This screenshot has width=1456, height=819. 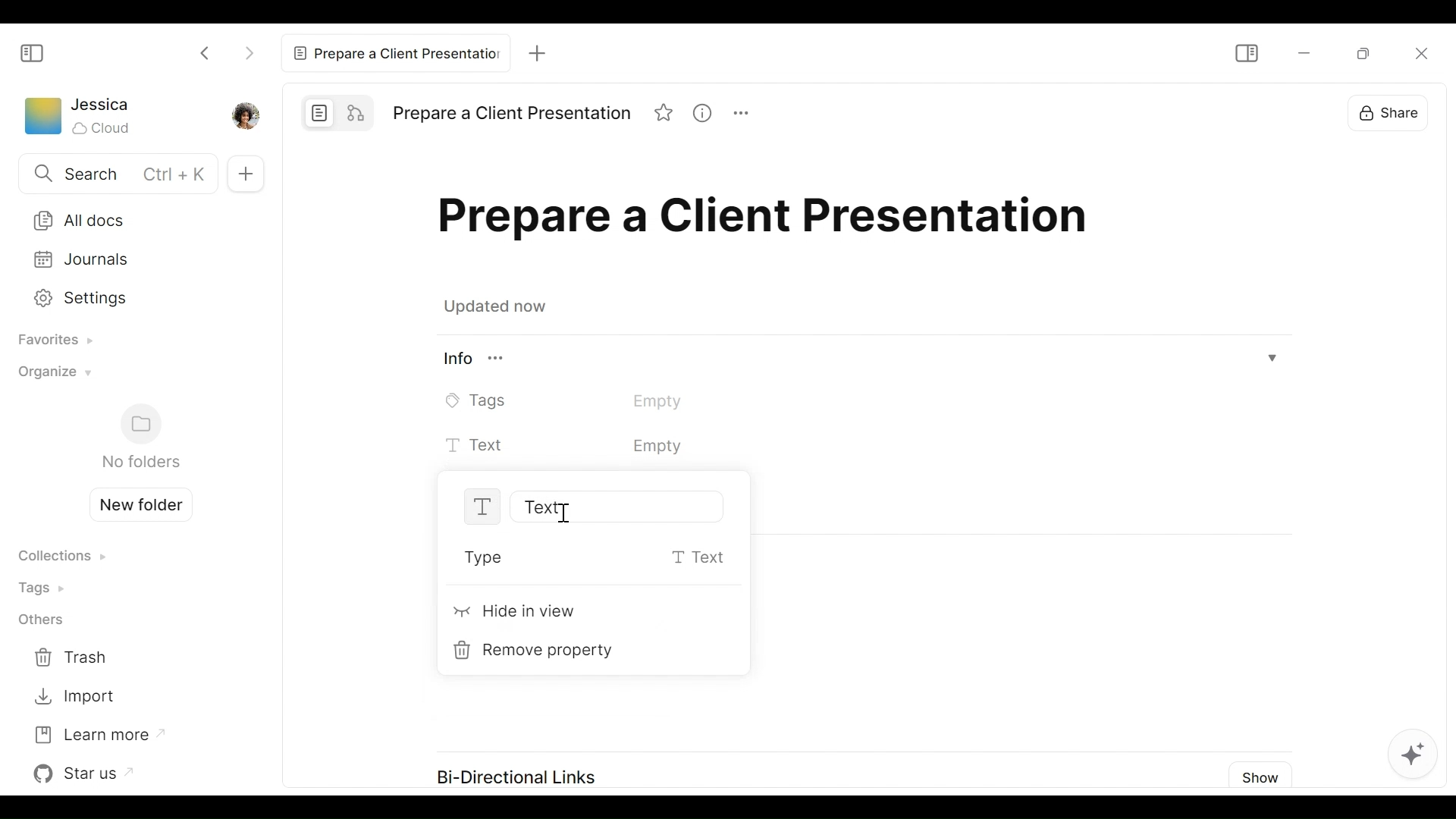 What do you see at coordinates (206, 52) in the screenshot?
I see `Click to go back` at bounding box center [206, 52].